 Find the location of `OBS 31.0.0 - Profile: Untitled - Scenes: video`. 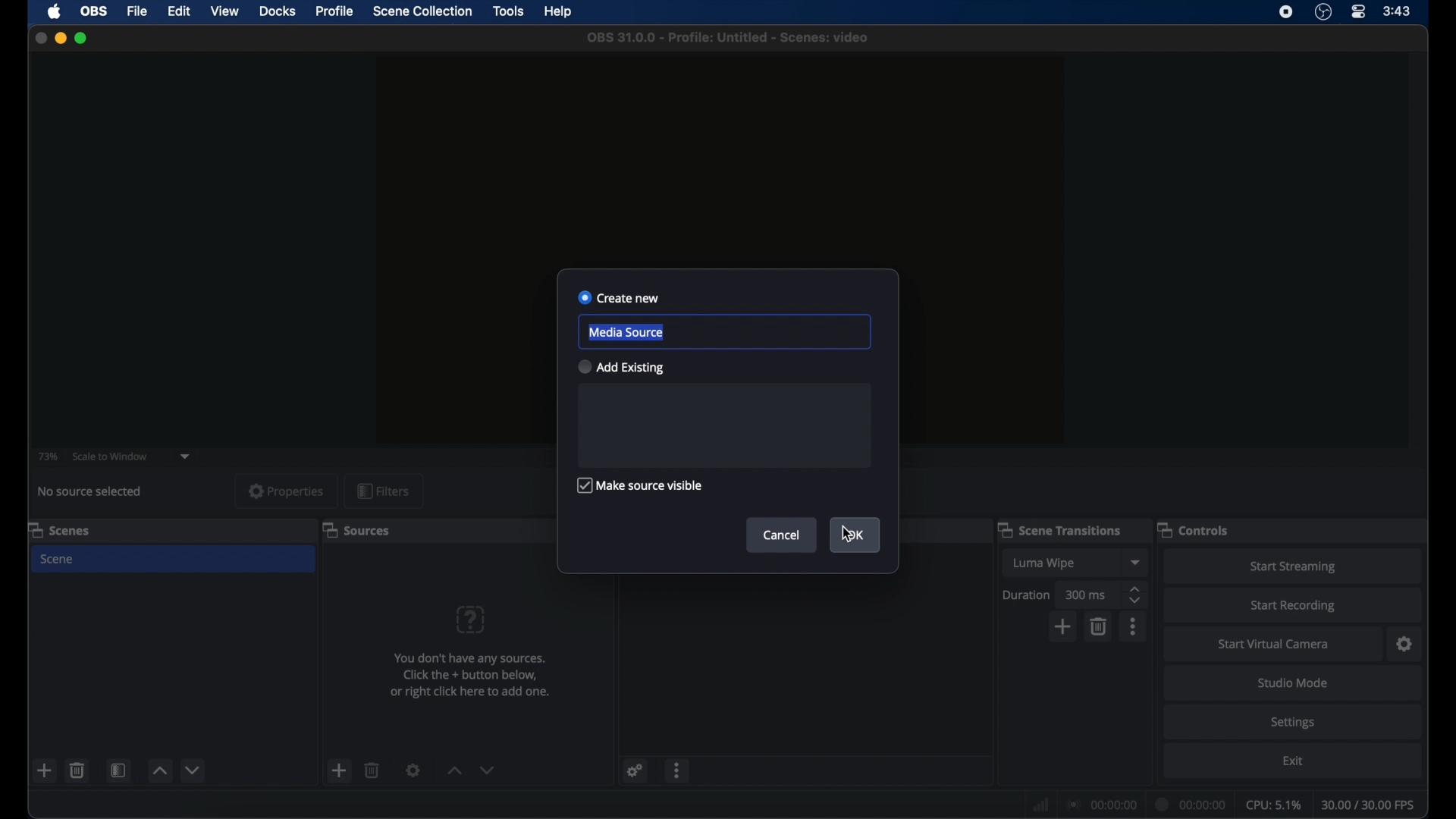

OBS 31.0.0 - Profile: Untitled - Scenes: video is located at coordinates (726, 37).